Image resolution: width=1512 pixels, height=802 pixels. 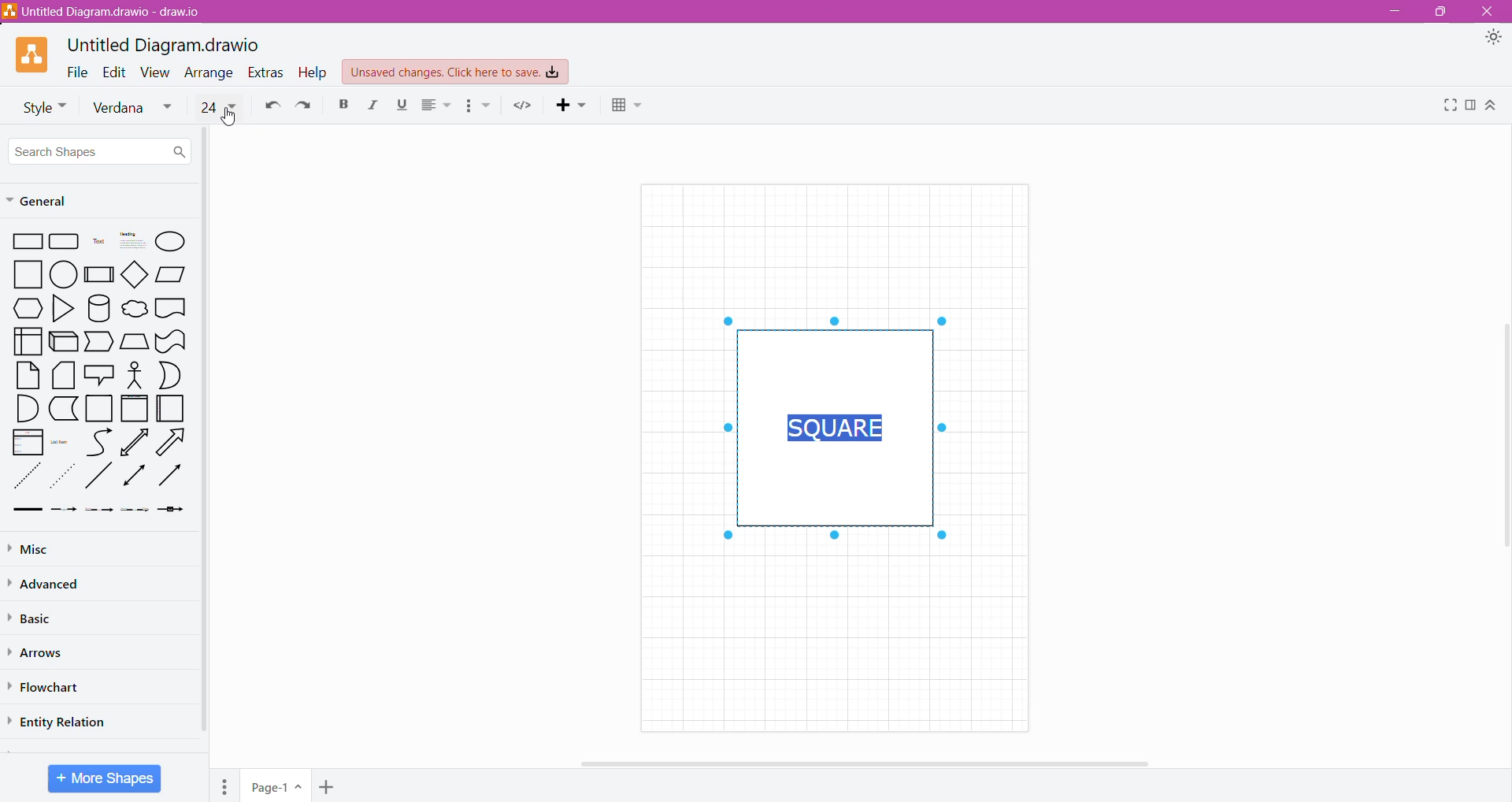 I want to click on Search Shapes, so click(x=101, y=150).